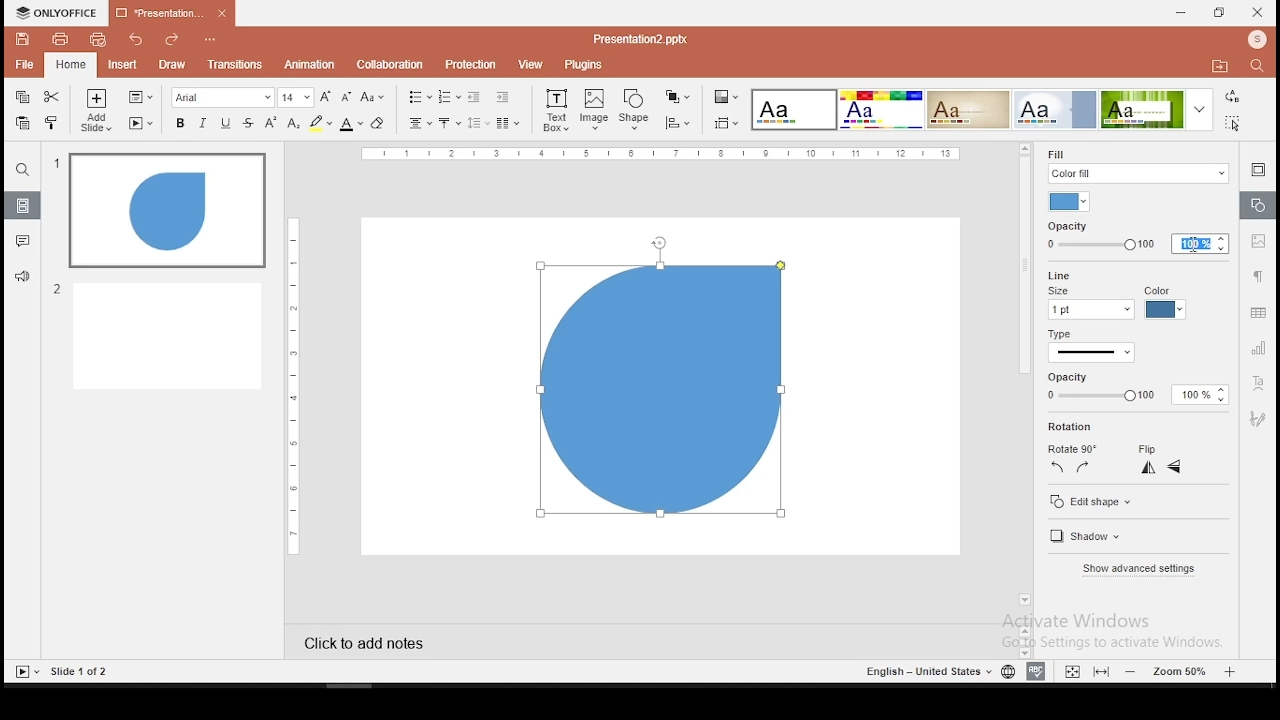 This screenshot has height=720, width=1280. What do you see at coordinates (504, 123) in the screenshot?
I see `columns` at bounding box center [504, 123].